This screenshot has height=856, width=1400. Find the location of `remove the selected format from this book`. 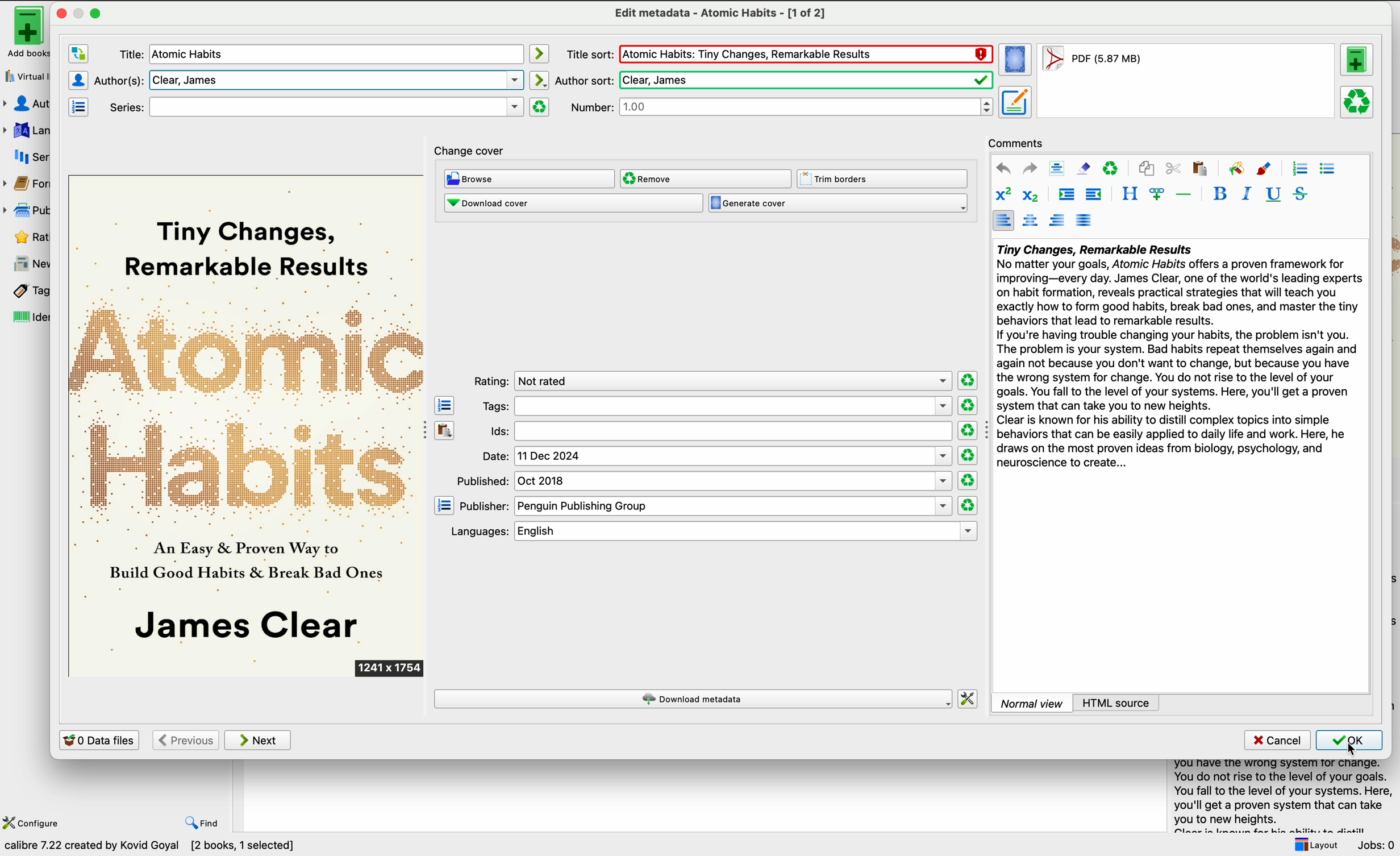

remove the selected format from this book is located at coordinates (1358, 103).